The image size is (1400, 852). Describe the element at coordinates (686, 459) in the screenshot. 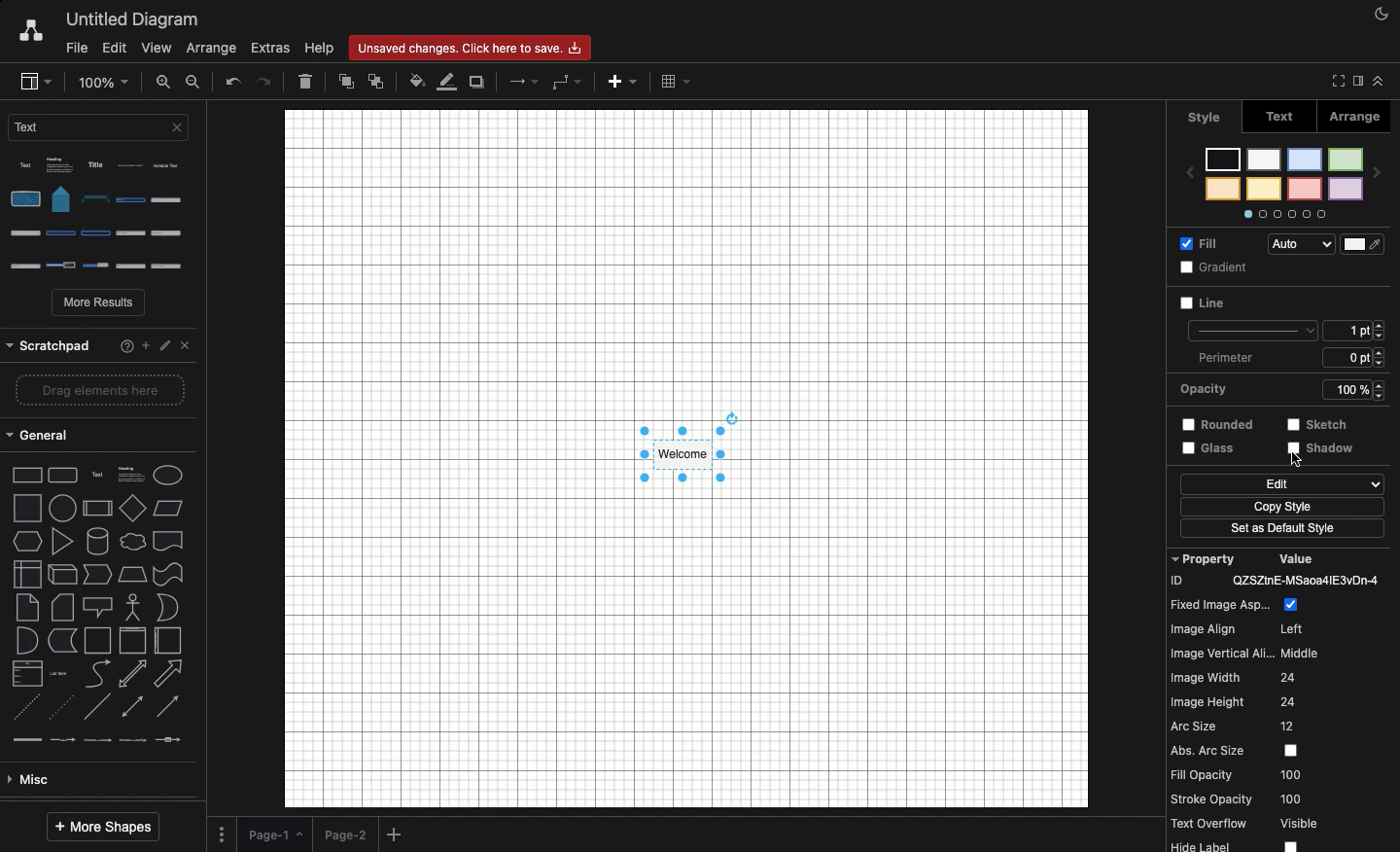

I see `Canvas` at that location.